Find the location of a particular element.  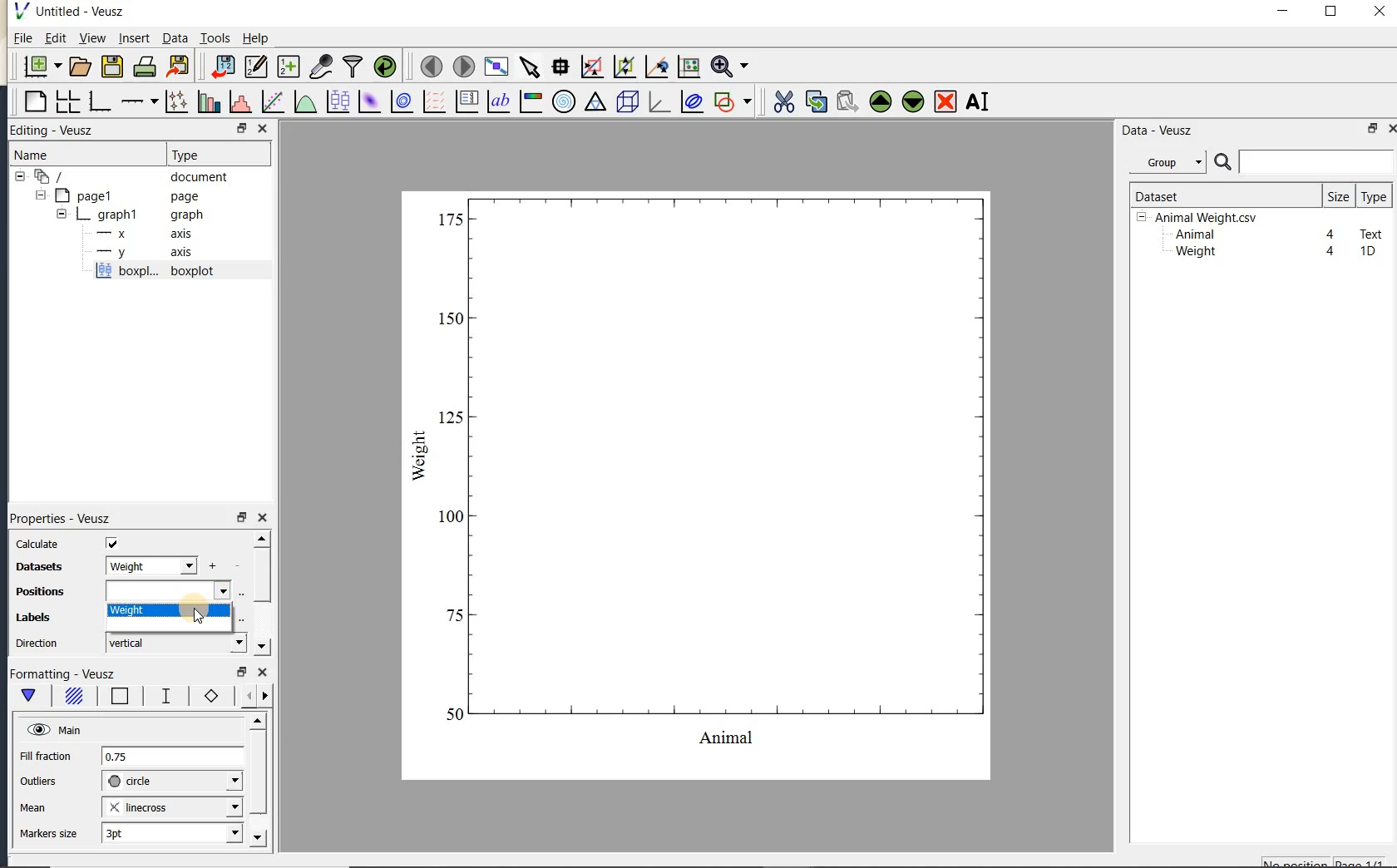

Main is located at coordinates (54, 728).